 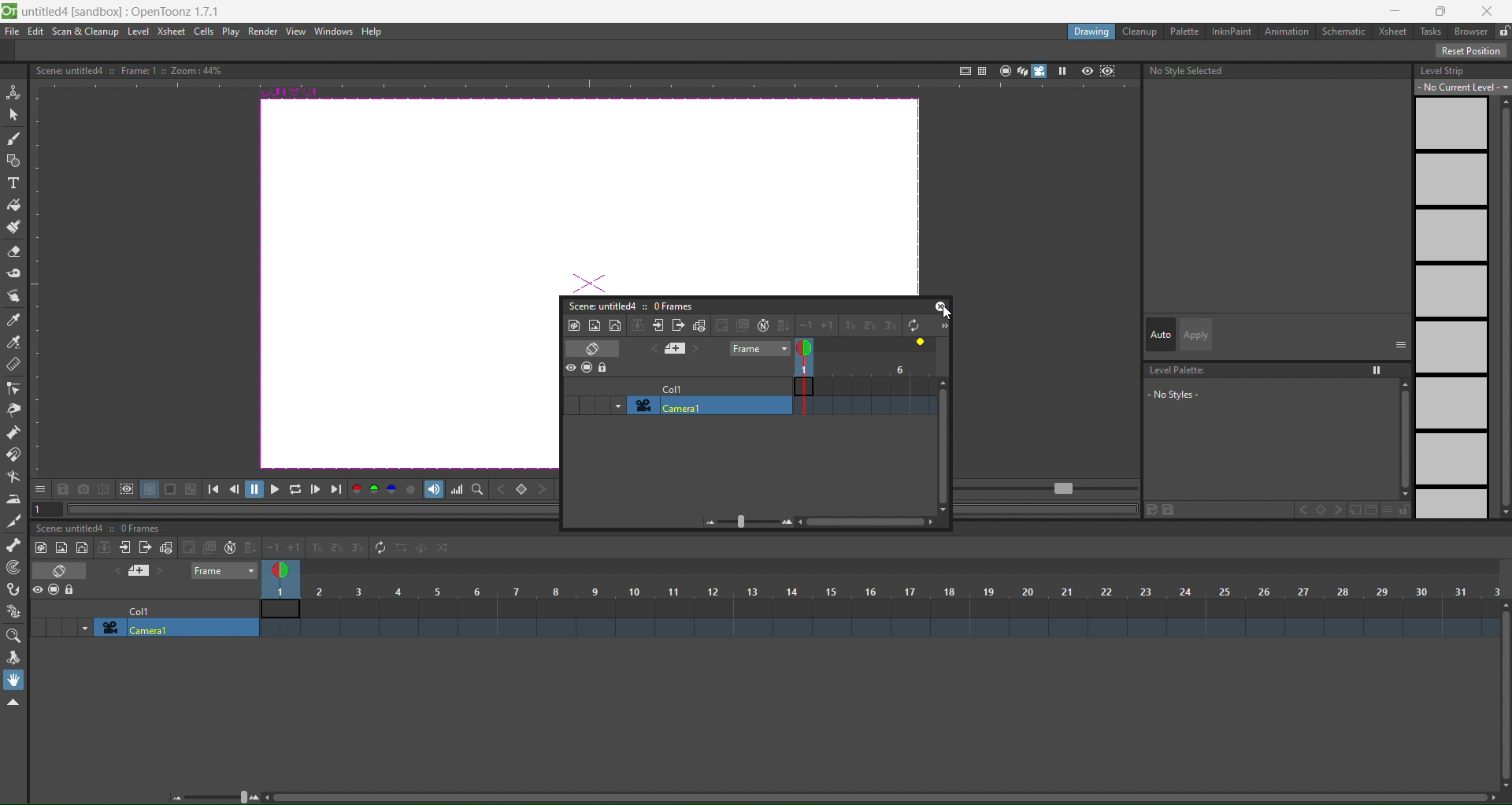 What do you see at coordinates (865, 380) in the screenshot?
I see `frame` at bounding box center [865, 380].